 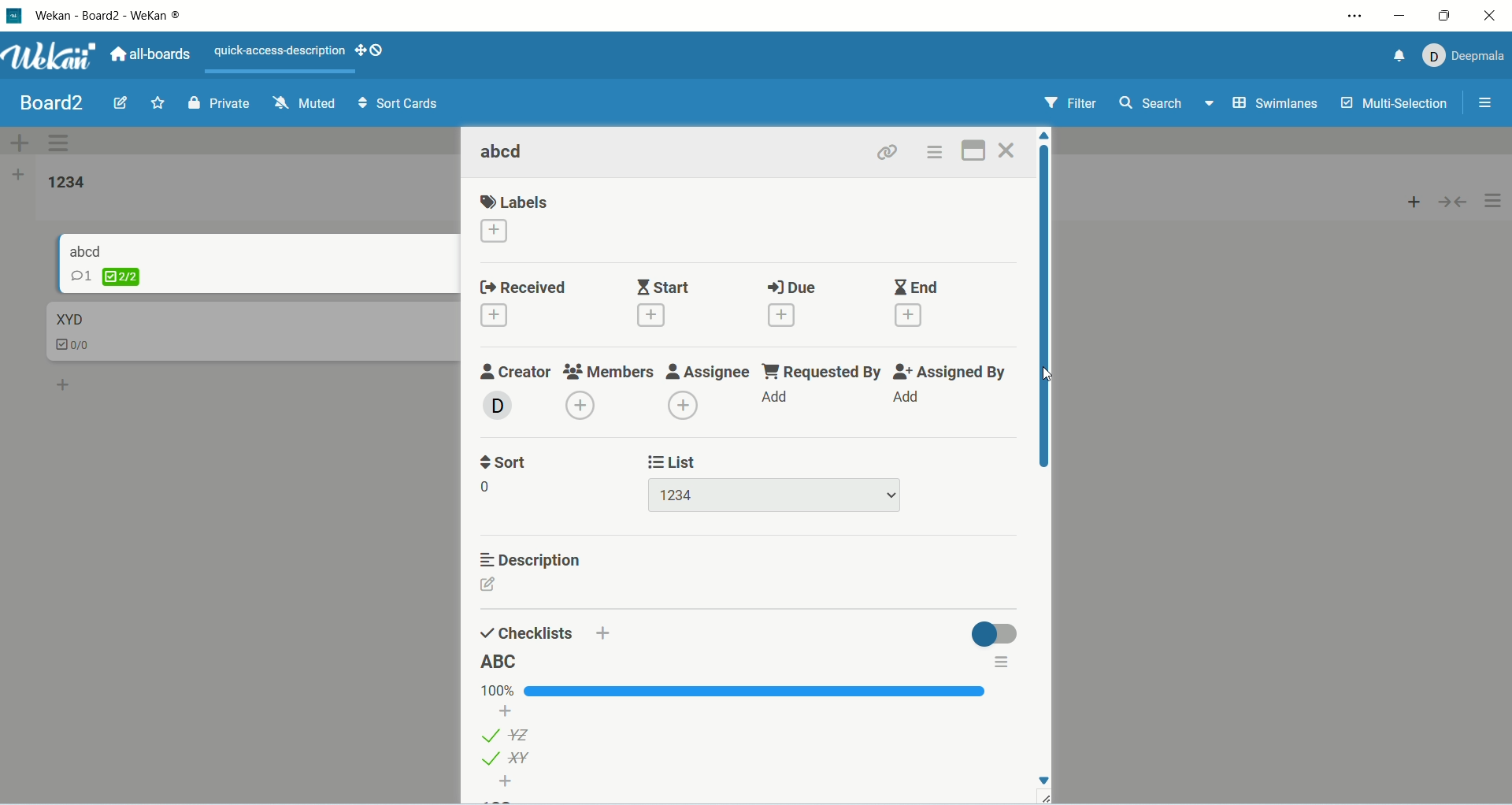 What do you see at coordinates (1354, 17) in the screenshot?
I see `settings and more` at bounding box center [1354, 17].